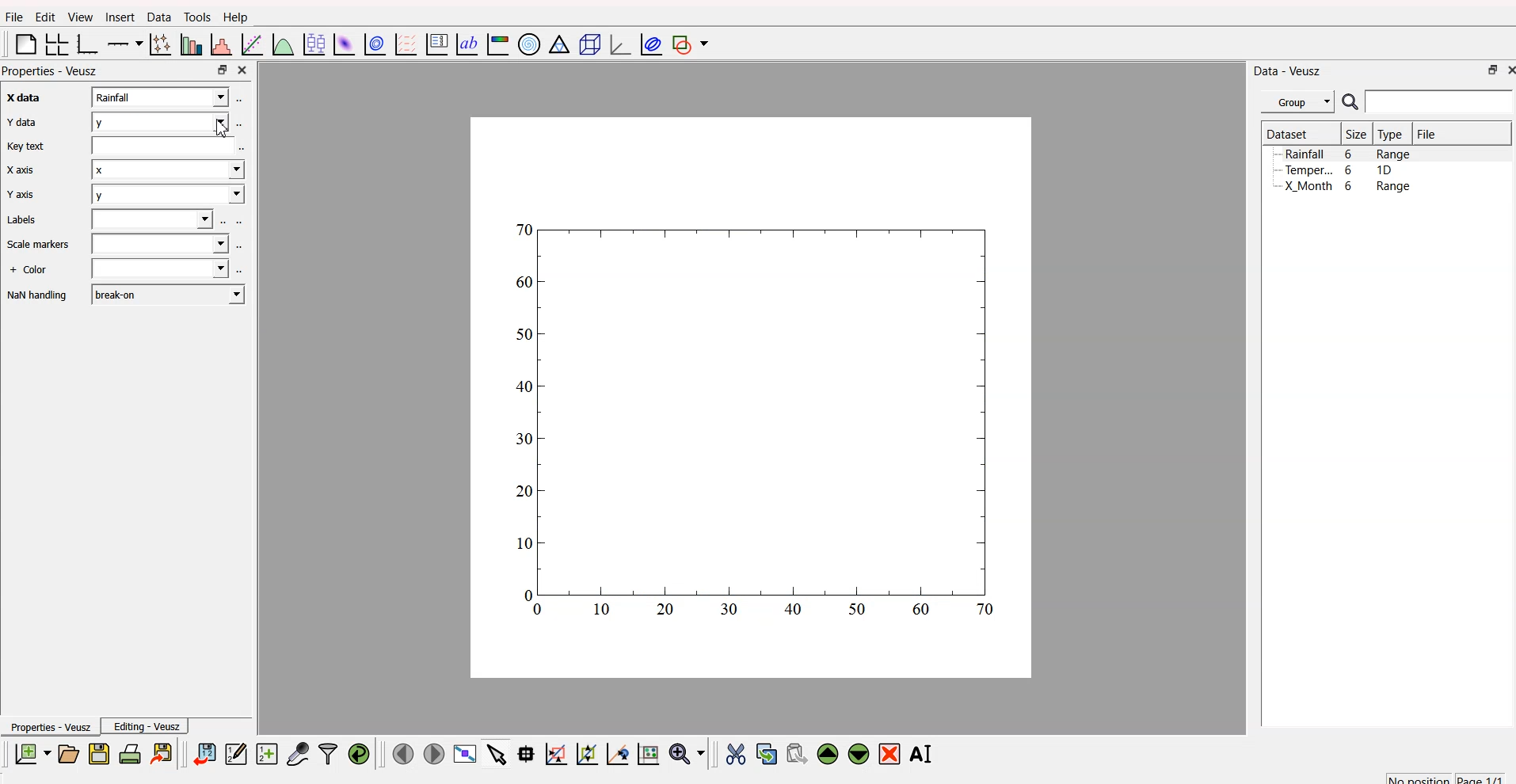 The height and width of the screenshot is (784, 1516). What do you see at coordinates (827, 754) in the screenshot?
I see `move up the widget` at bounding box center [827, 754].